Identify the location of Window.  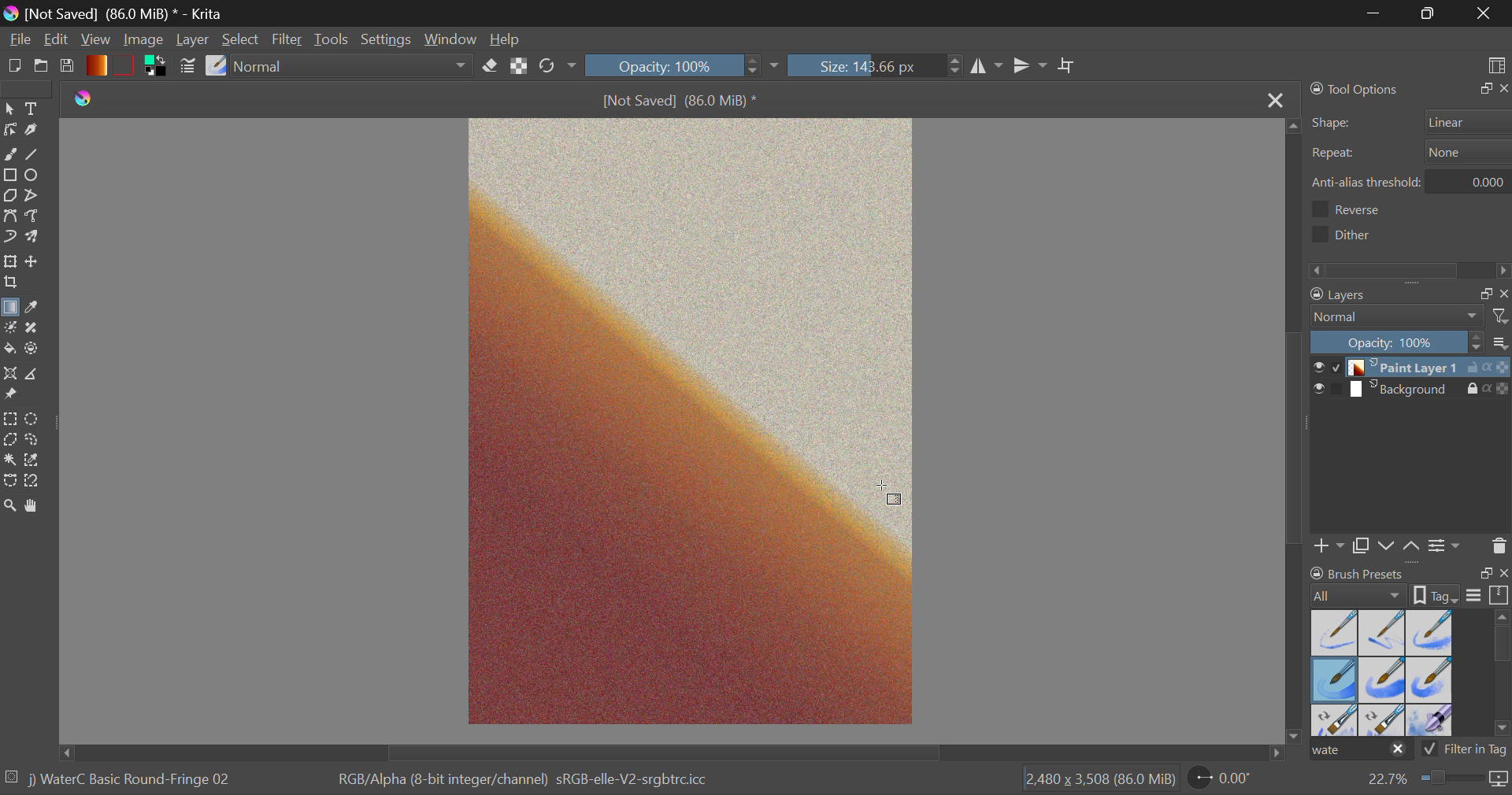
(449, 38).